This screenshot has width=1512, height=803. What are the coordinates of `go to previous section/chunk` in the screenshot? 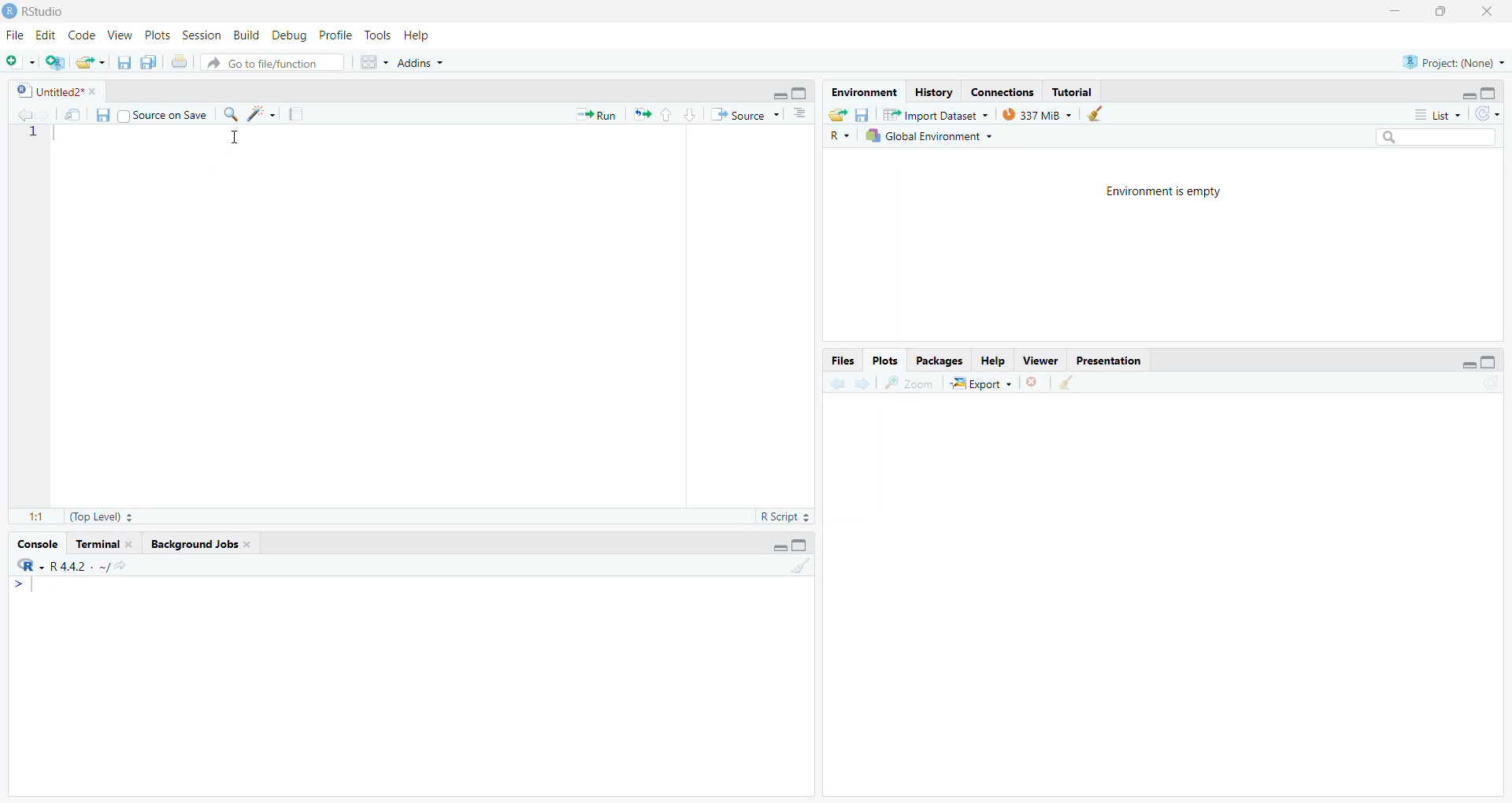 It's located at (665, 116).